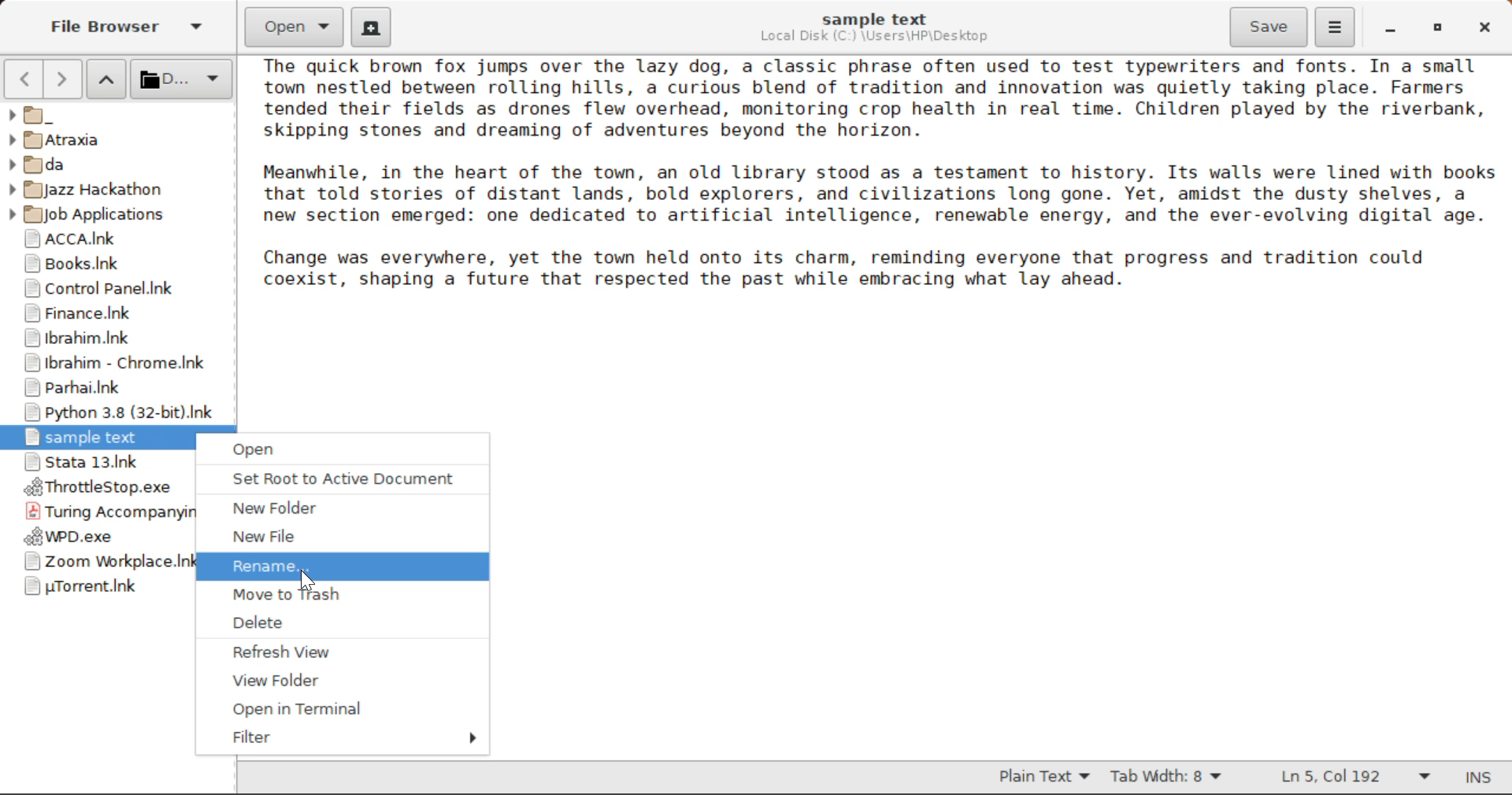  I want to click on Delete, so click(339, 623).